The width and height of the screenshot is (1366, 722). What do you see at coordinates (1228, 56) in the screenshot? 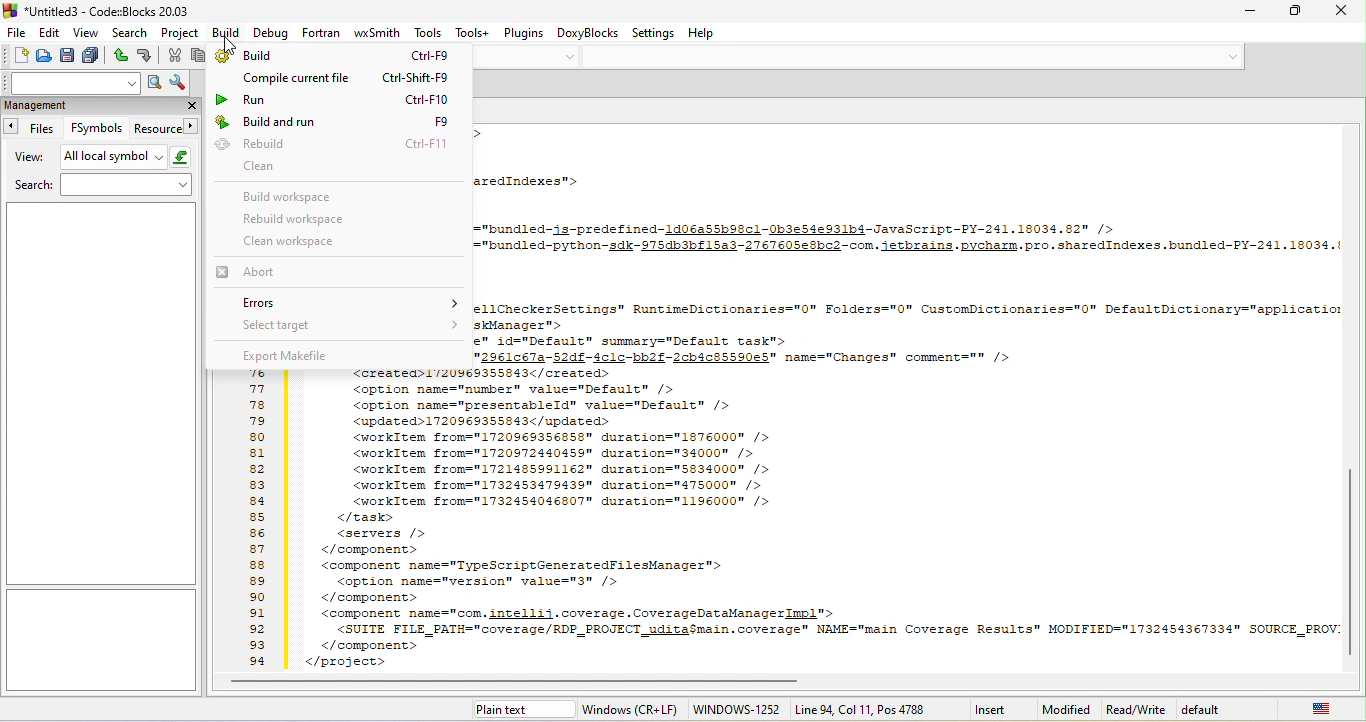
I see `dropdown` at bounding box center [1228, 56].